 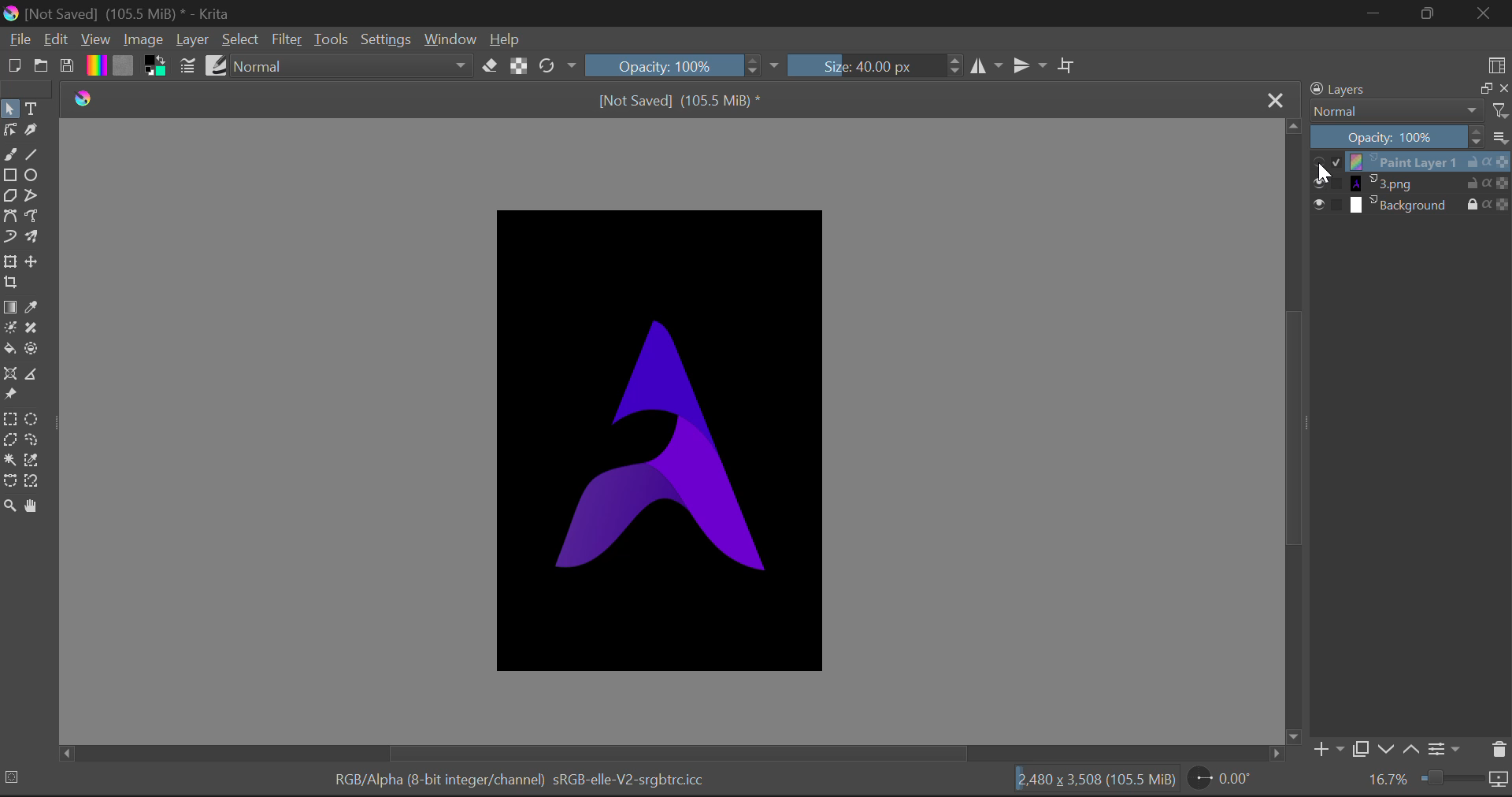 What do you see at coordinates (34, 482) in the screenshot?
I see `Magentic Selection Tool` at bounding box center [34, 482].